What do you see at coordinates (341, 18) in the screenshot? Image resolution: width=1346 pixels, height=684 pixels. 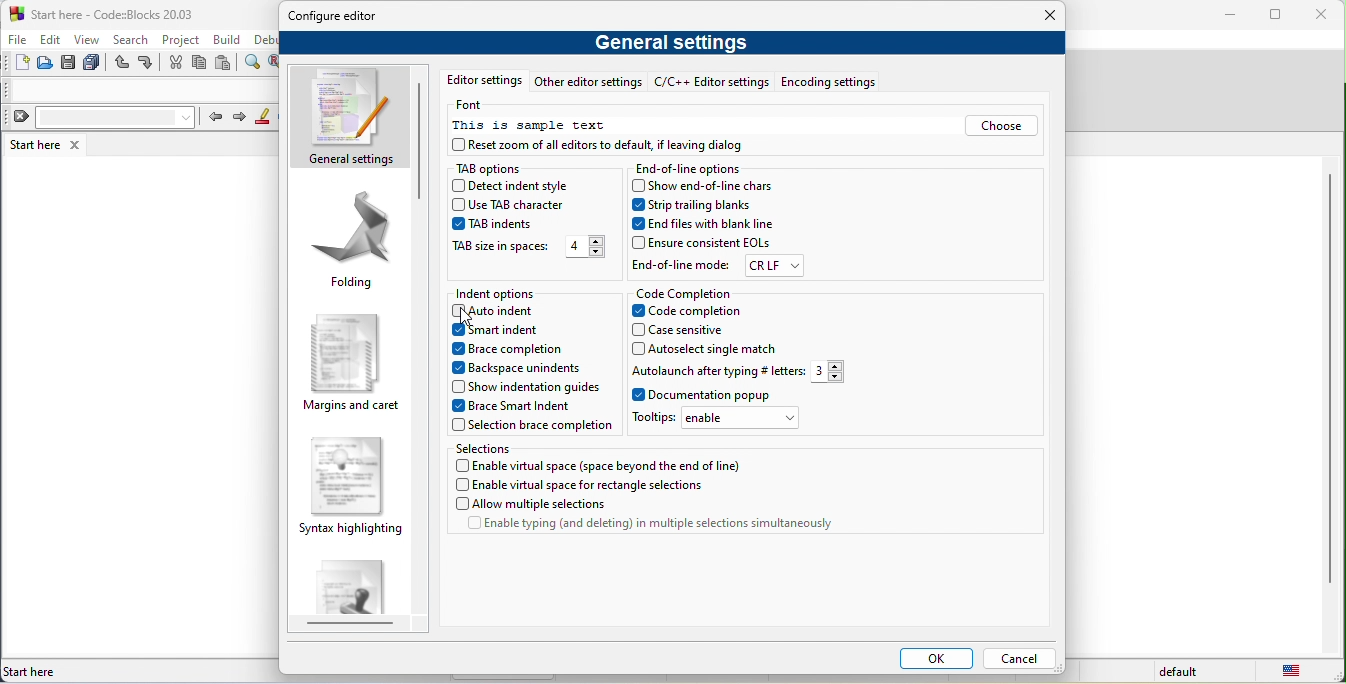 I see `configure` at bounding box center [341, 18].